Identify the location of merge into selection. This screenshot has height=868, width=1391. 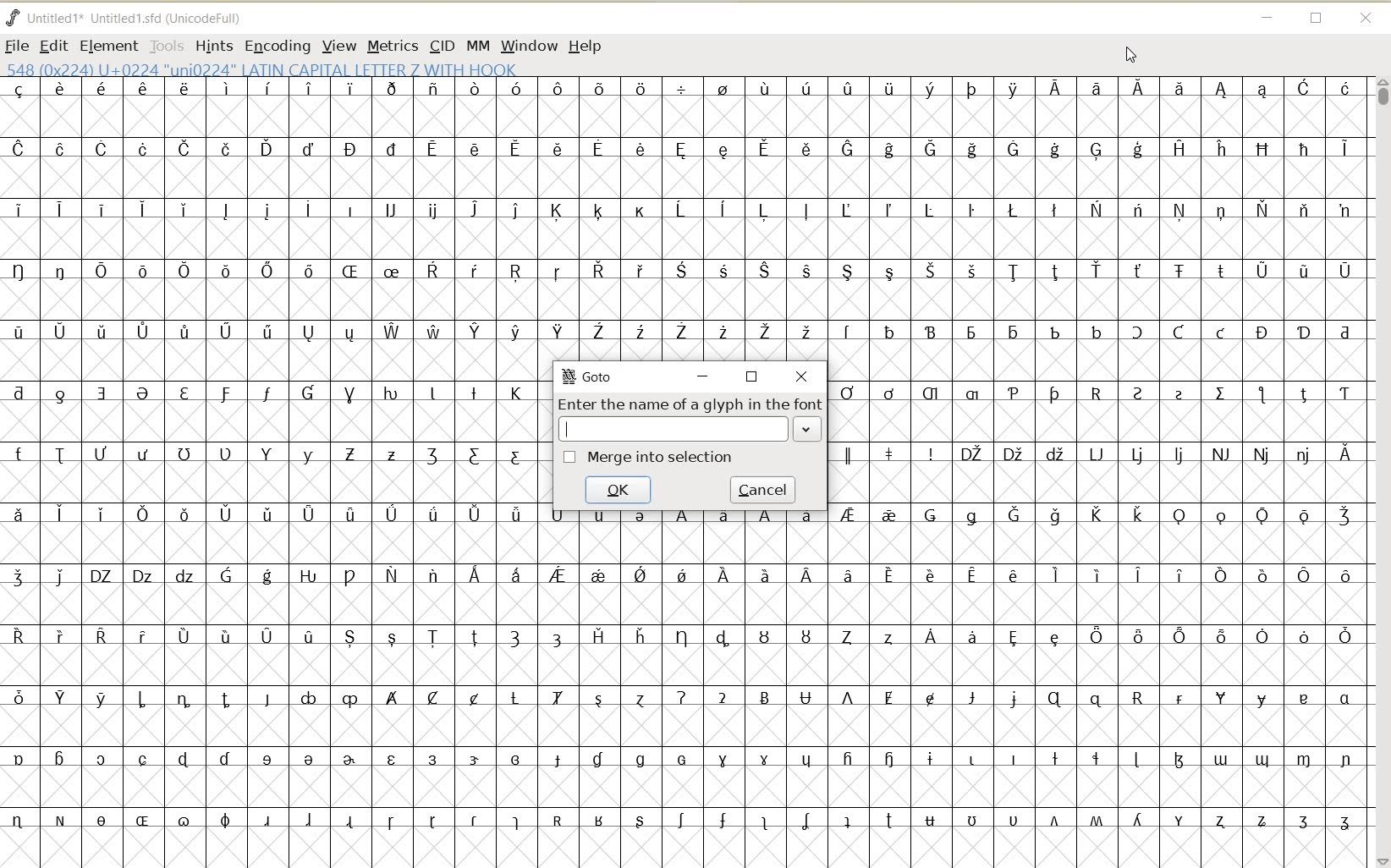
(649, 458).